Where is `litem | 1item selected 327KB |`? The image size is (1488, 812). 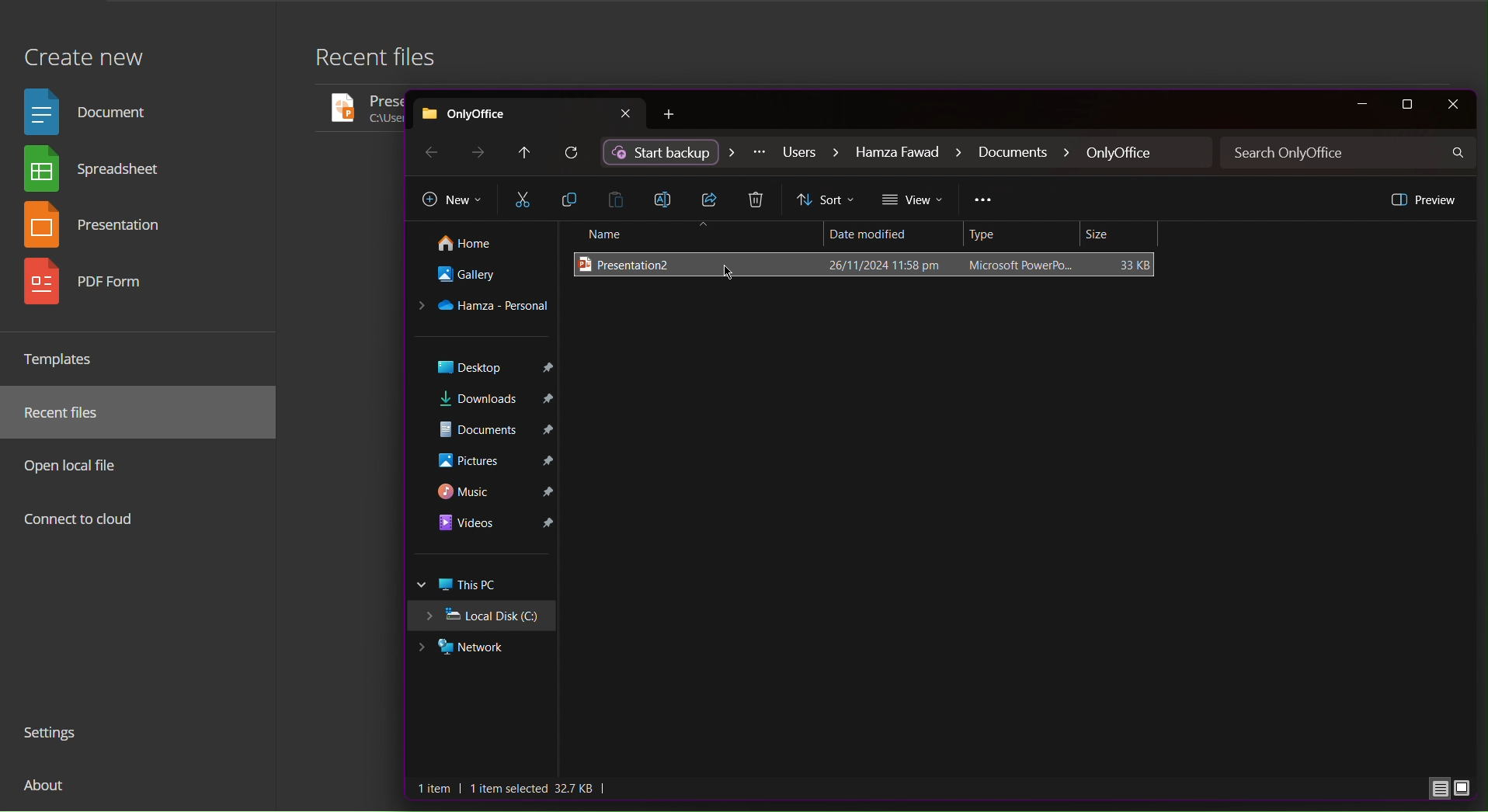
litem | 1item selected 327KB | is located at coordinates (514, 789).